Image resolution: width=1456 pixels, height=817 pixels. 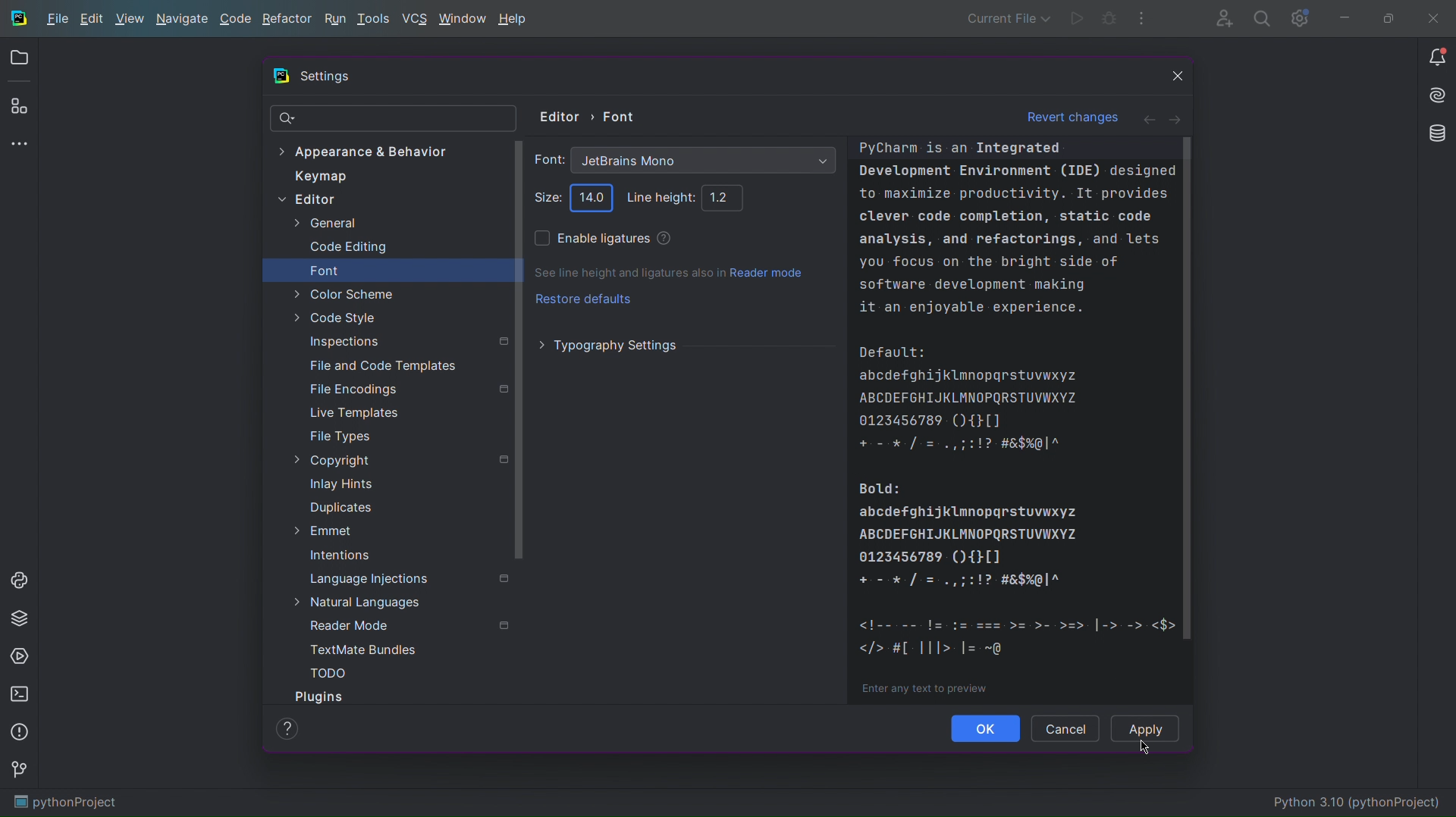 What do you see at coordinates (394, 119) in the screenshot?
I see `Search Bar` at bounding box center [394, 119].